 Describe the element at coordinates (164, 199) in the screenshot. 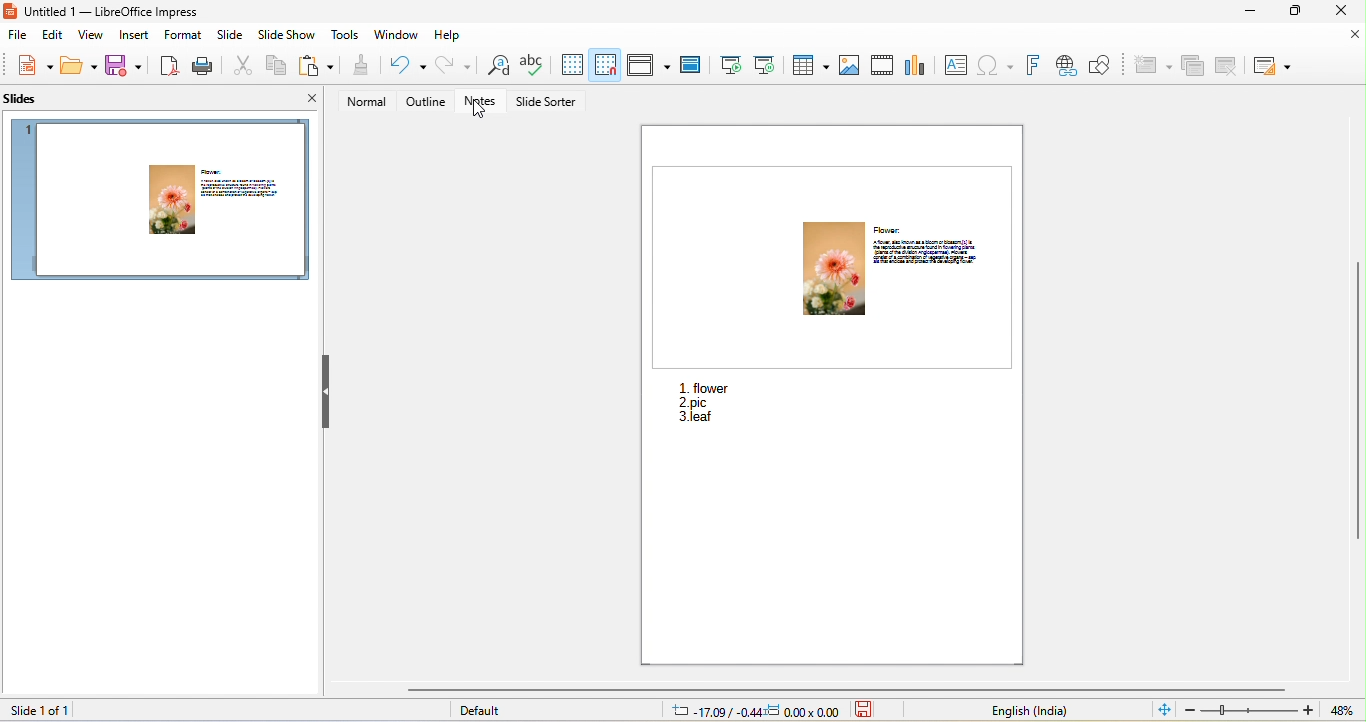

I see `slide 1` at that location.